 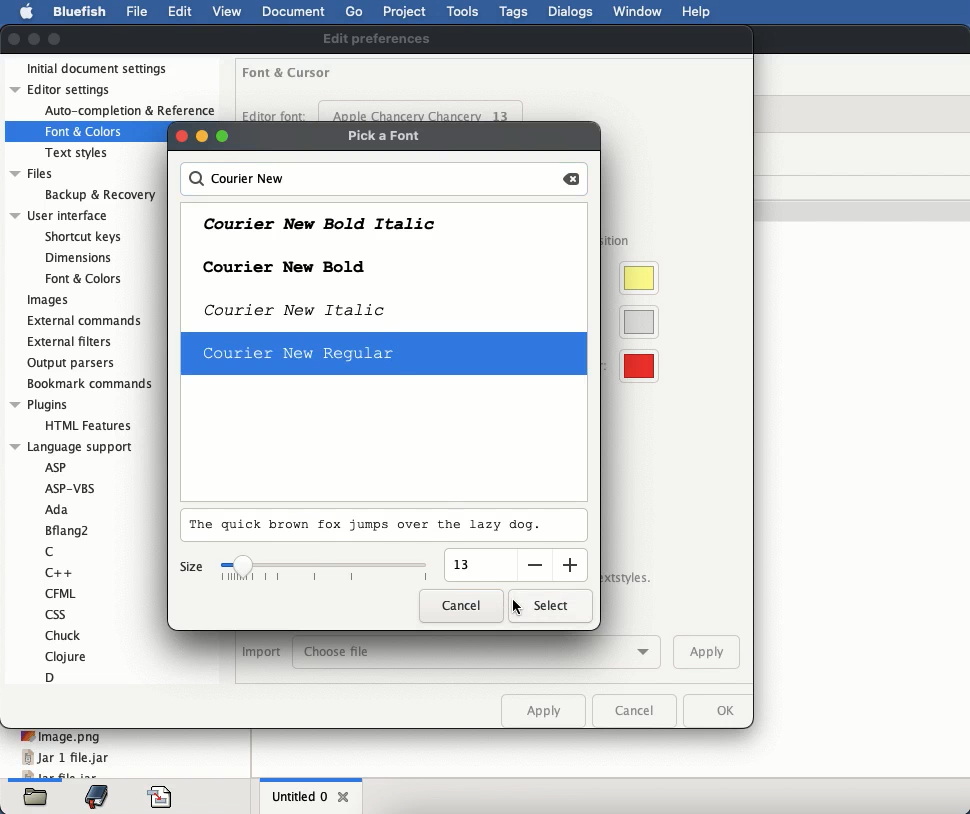 I want to click on files, so click(x=36, y=797).